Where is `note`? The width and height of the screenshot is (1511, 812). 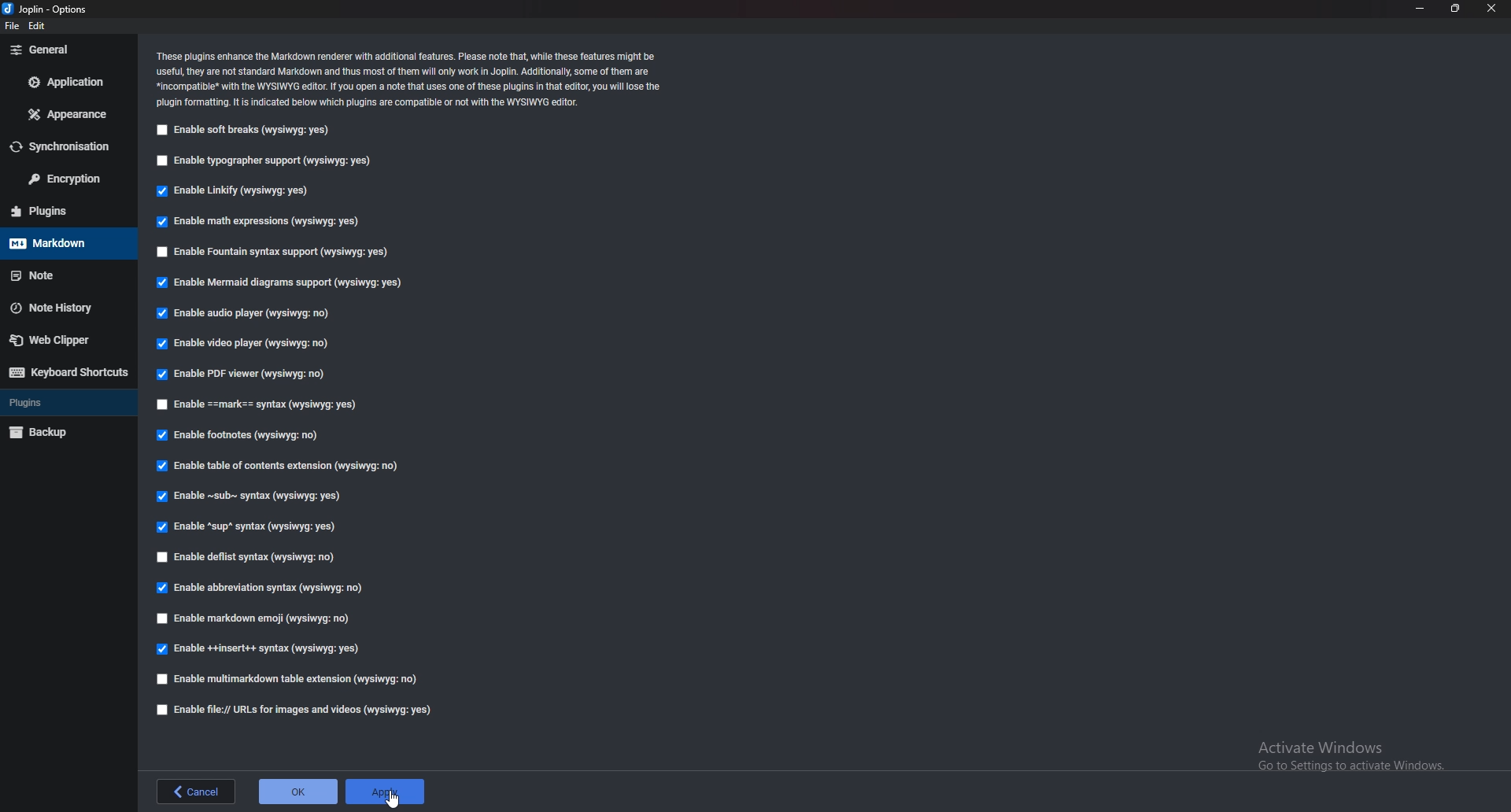 note is located at coordinates (63, 275).